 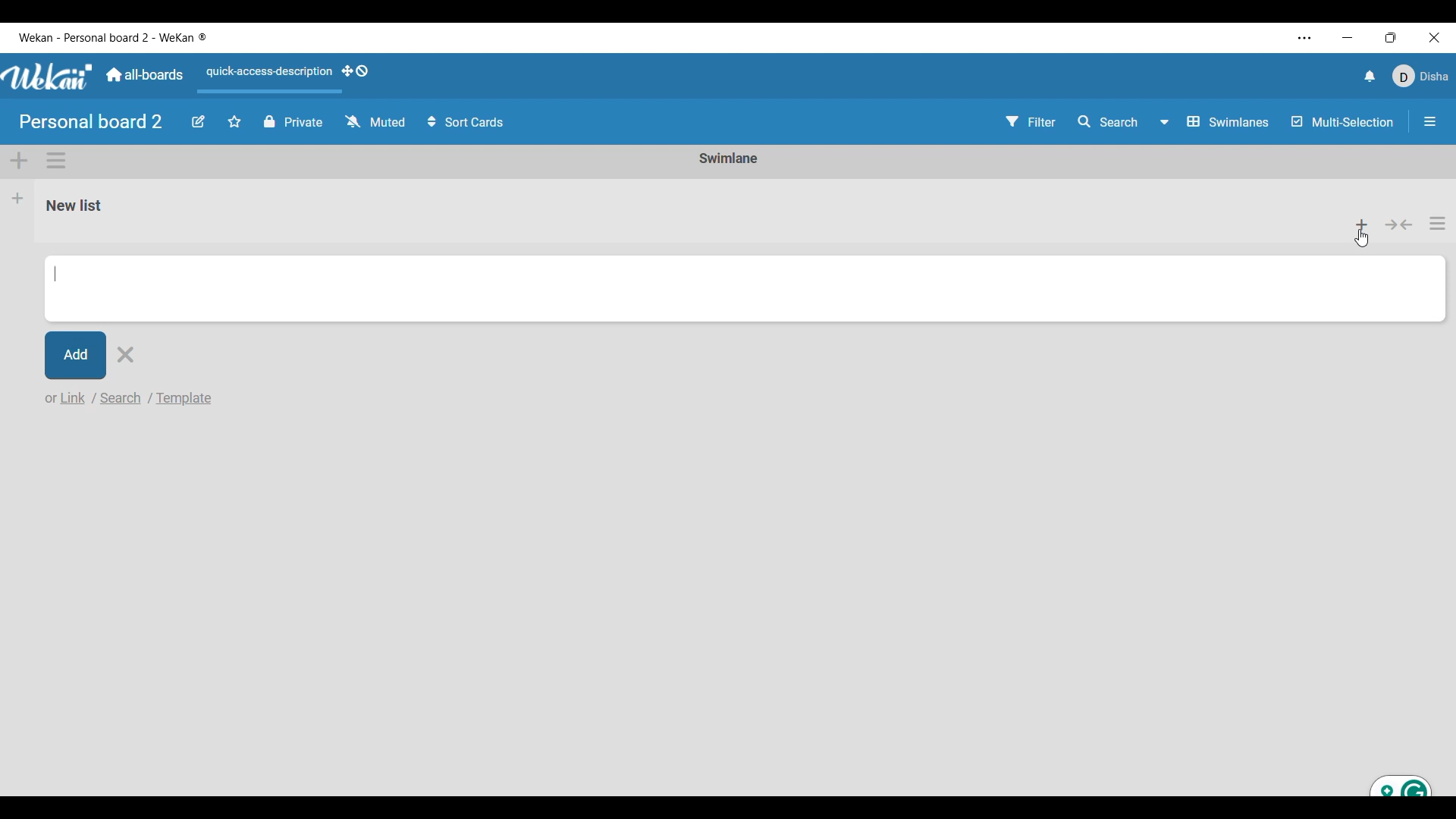 What do you see at coordinates (1216, 122) in the screenshot?
I see `Boardview options` at bounding box center [1216, 122].